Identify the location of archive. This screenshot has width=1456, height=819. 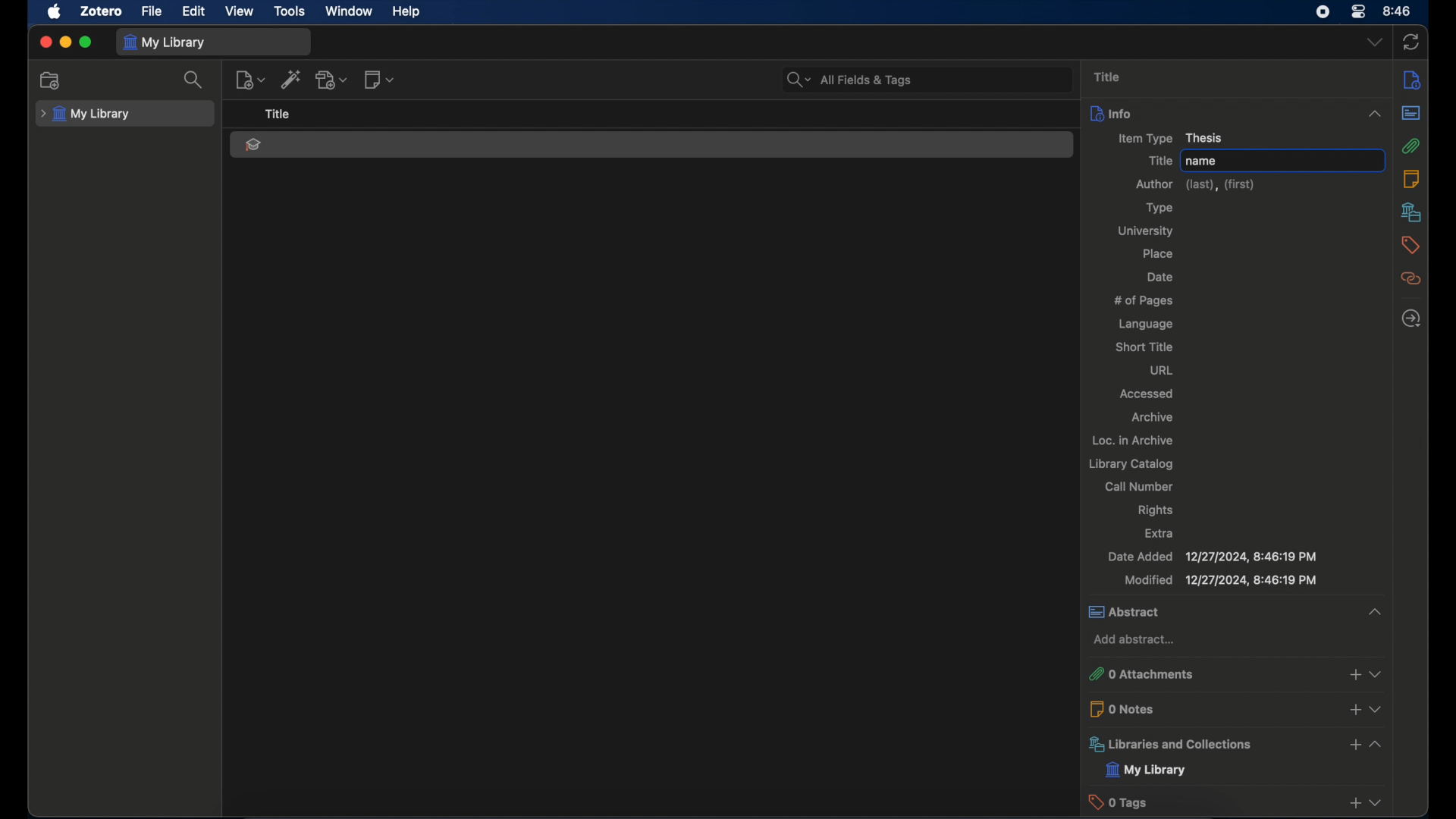
(1154, 417).